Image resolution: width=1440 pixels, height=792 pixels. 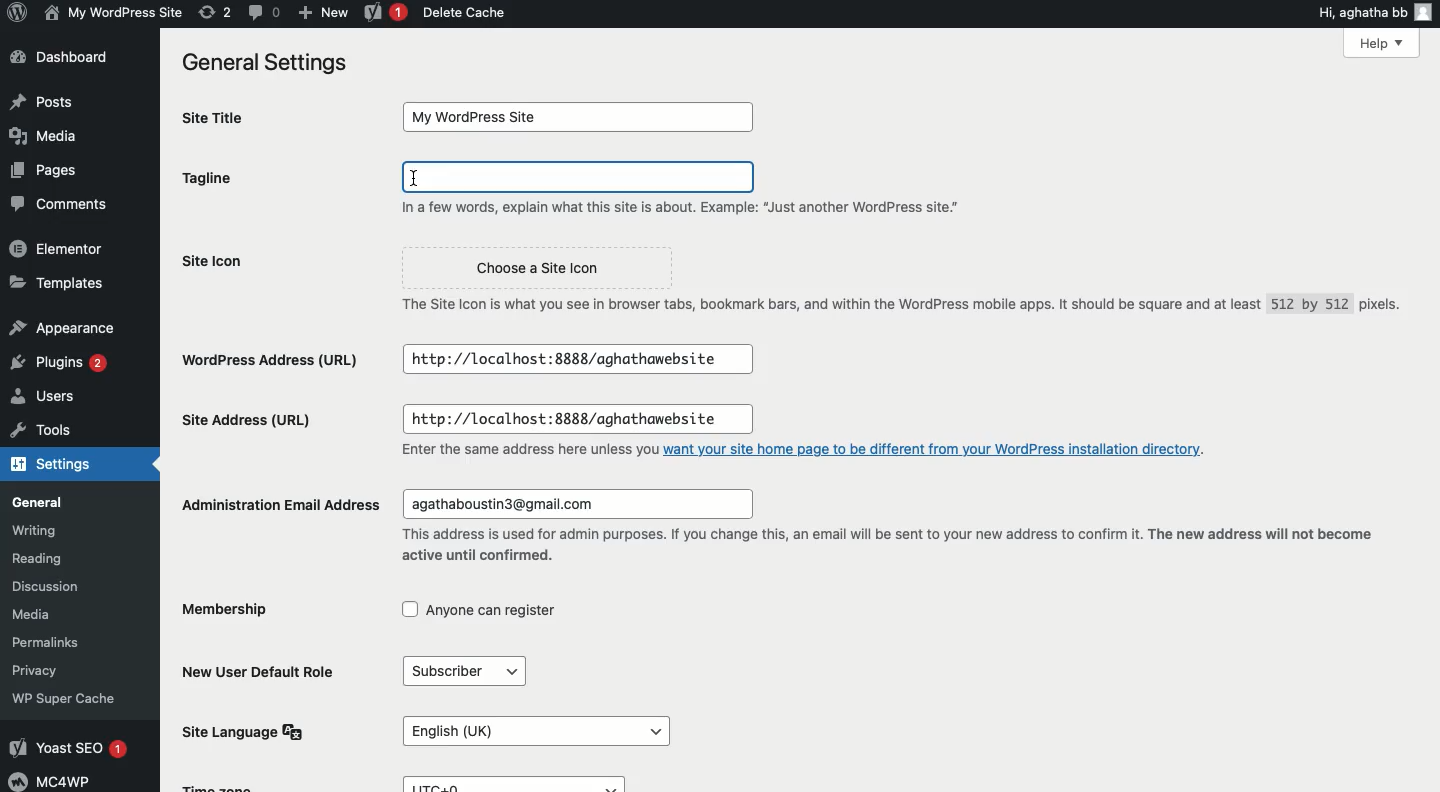 What do you see at coordinates (61, 434) in the screenshot?
I see `Tools` at bounding box center [61, 434].